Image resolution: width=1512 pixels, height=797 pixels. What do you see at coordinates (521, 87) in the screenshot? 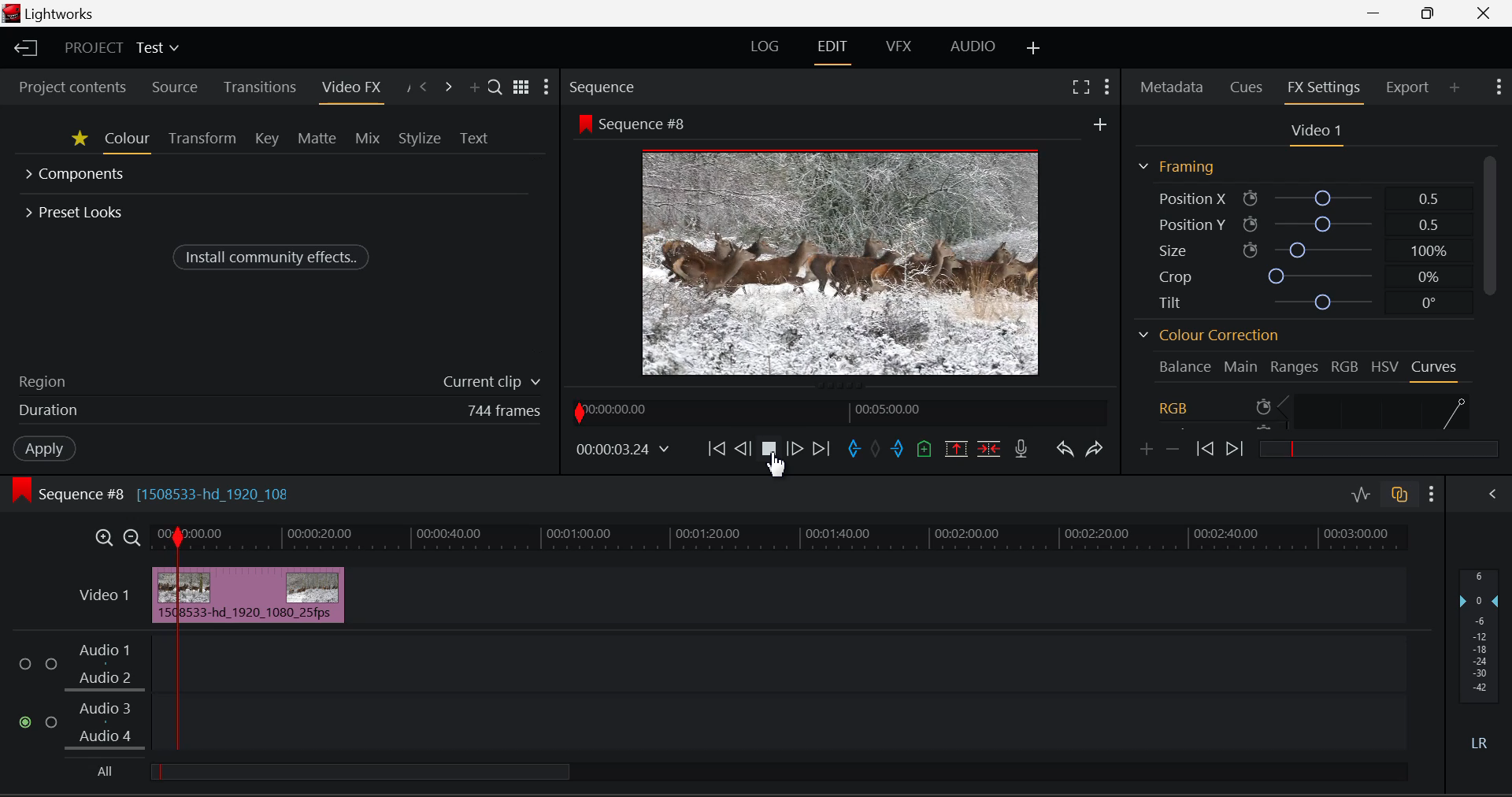
I see `Toggle between list and title view` at bounding box center [521, 87].